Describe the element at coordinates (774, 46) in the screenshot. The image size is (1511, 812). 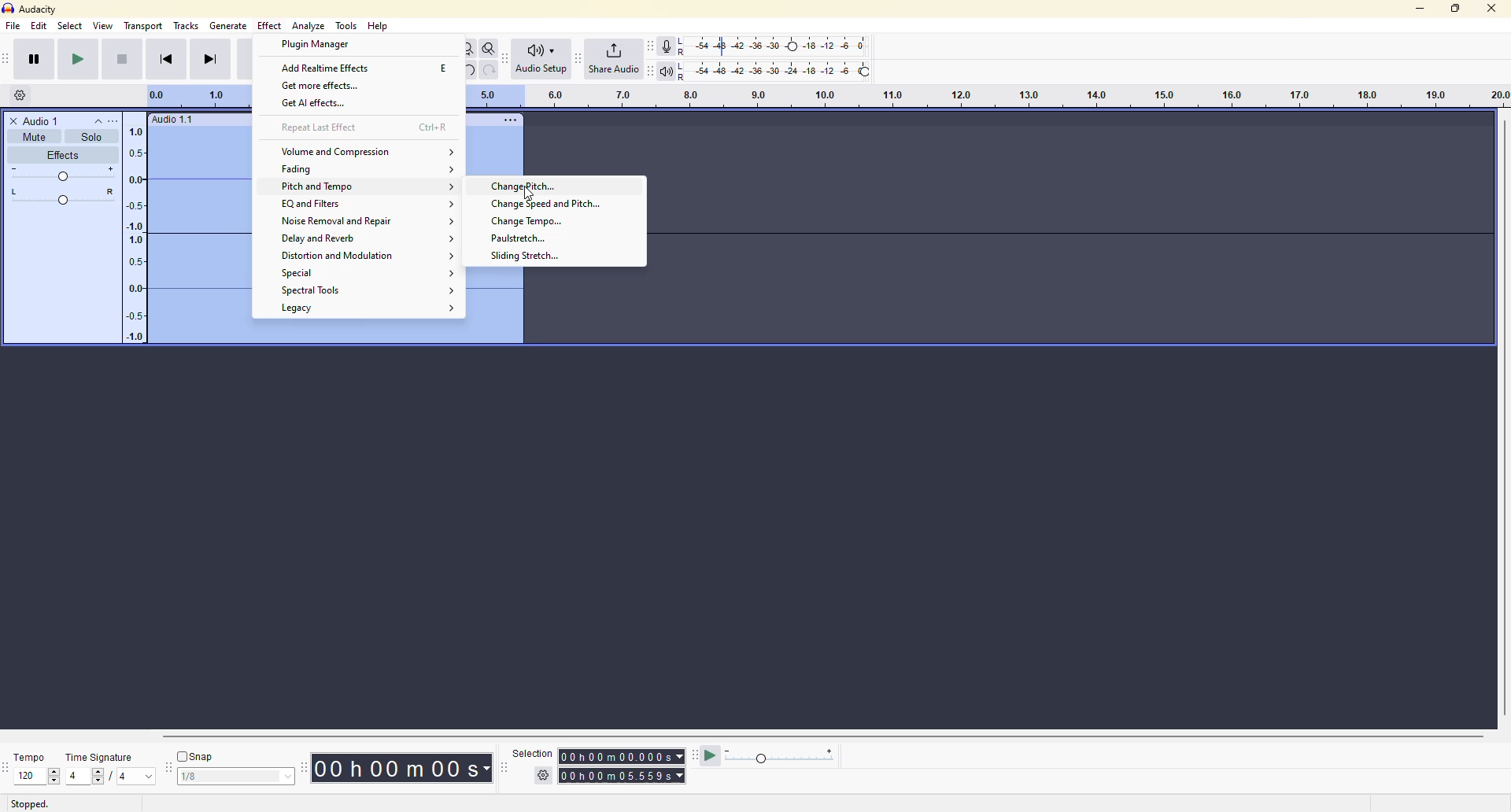
I see `recording level` at that location.